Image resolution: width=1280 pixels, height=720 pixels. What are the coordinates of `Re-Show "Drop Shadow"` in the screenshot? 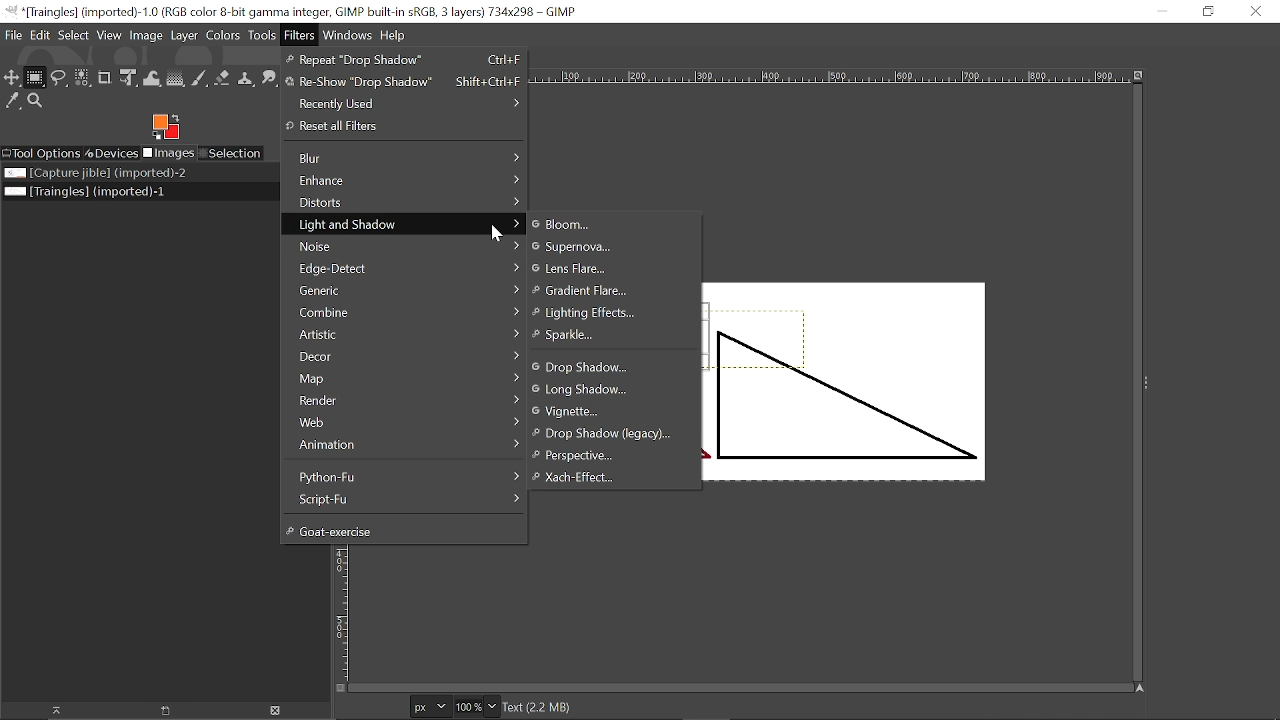 It's located at (403, 83).